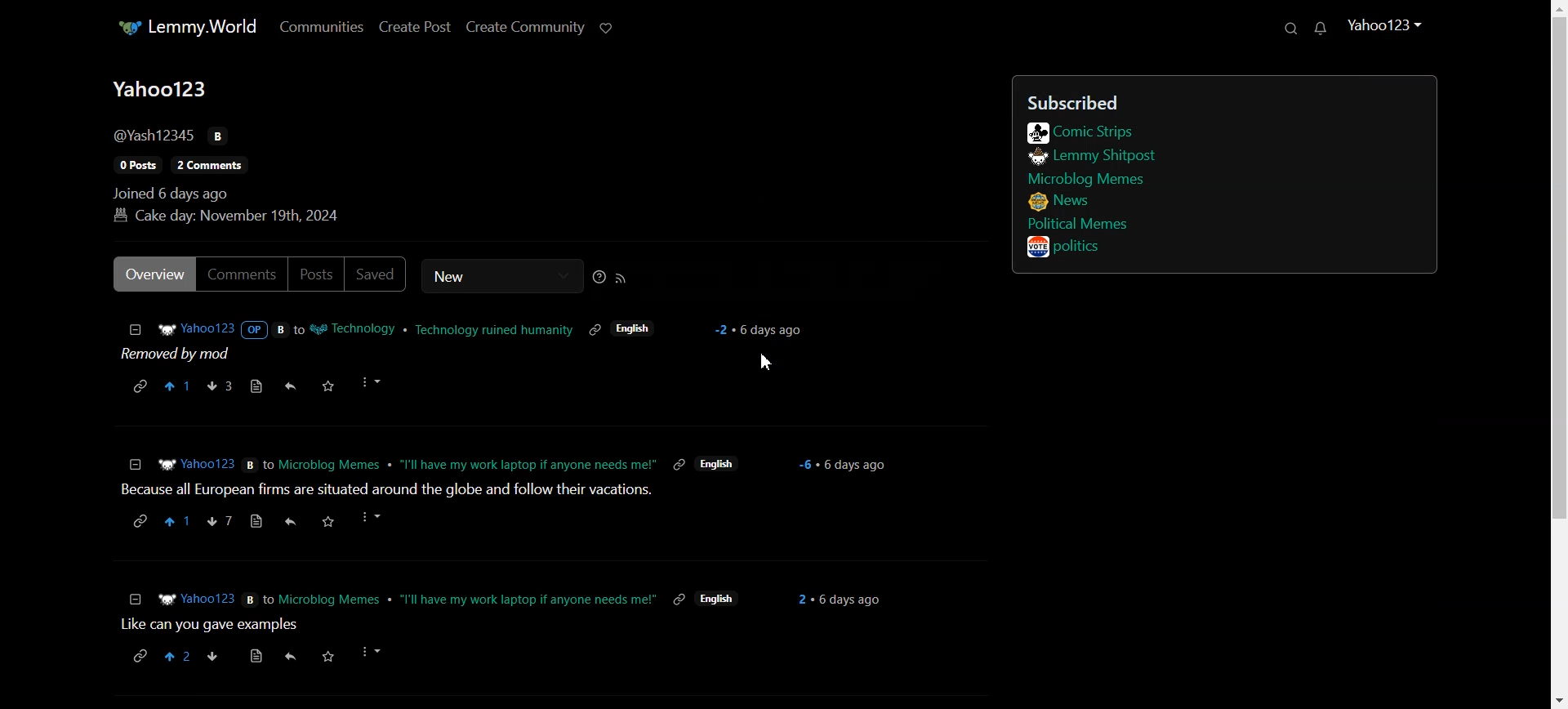 Image resolution: width=1568 pixels, height=709 pixels. I want to click on -2 6 days ago, so click(759, 331).